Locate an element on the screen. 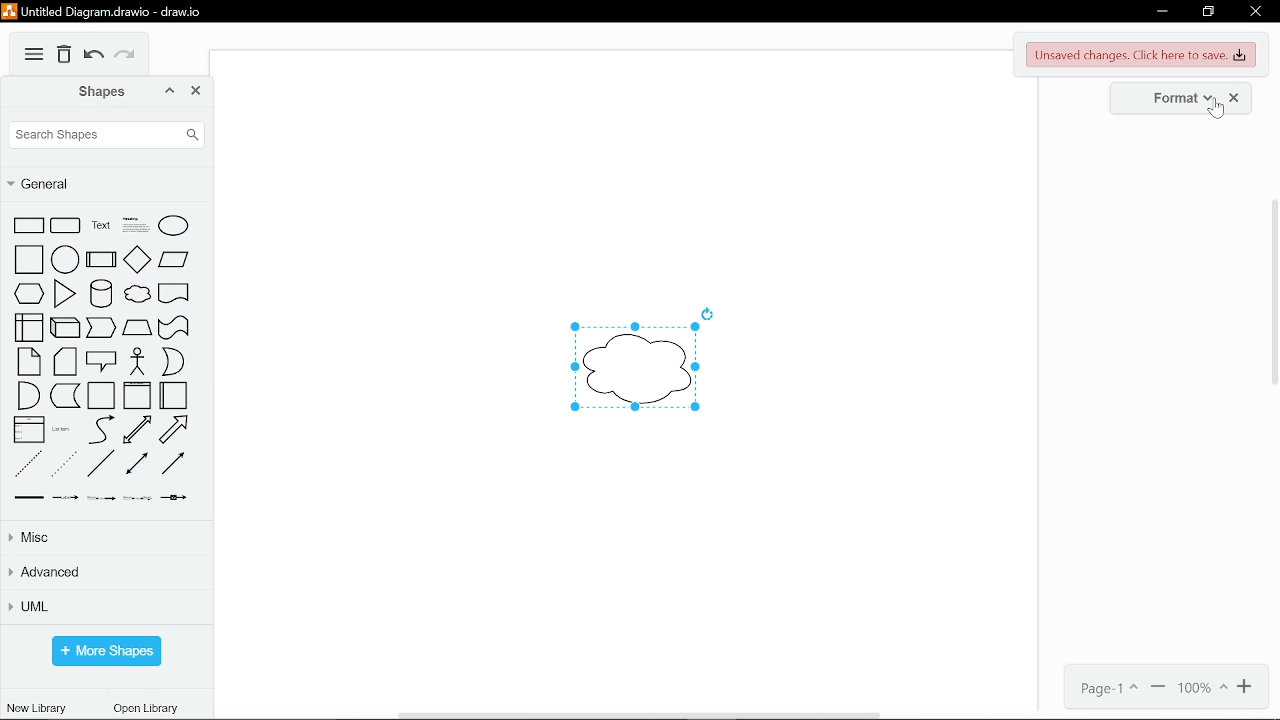 The width and height of the screenshot is (1280, 720). dotted line is located at coordinates (64, 464).